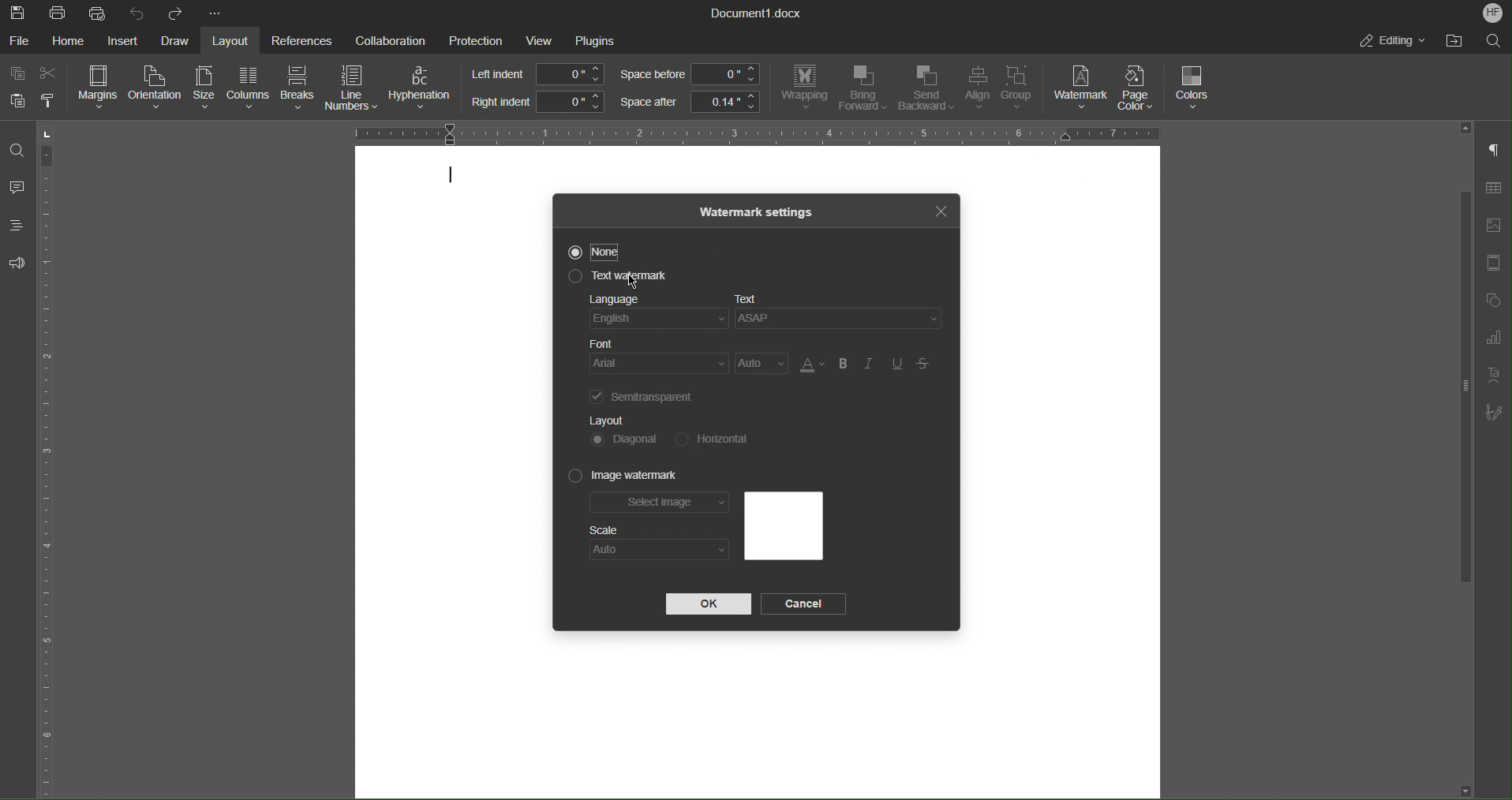  Describe the element at coordinates (661, 505) in the screenshot. I see `Select image` at that location.